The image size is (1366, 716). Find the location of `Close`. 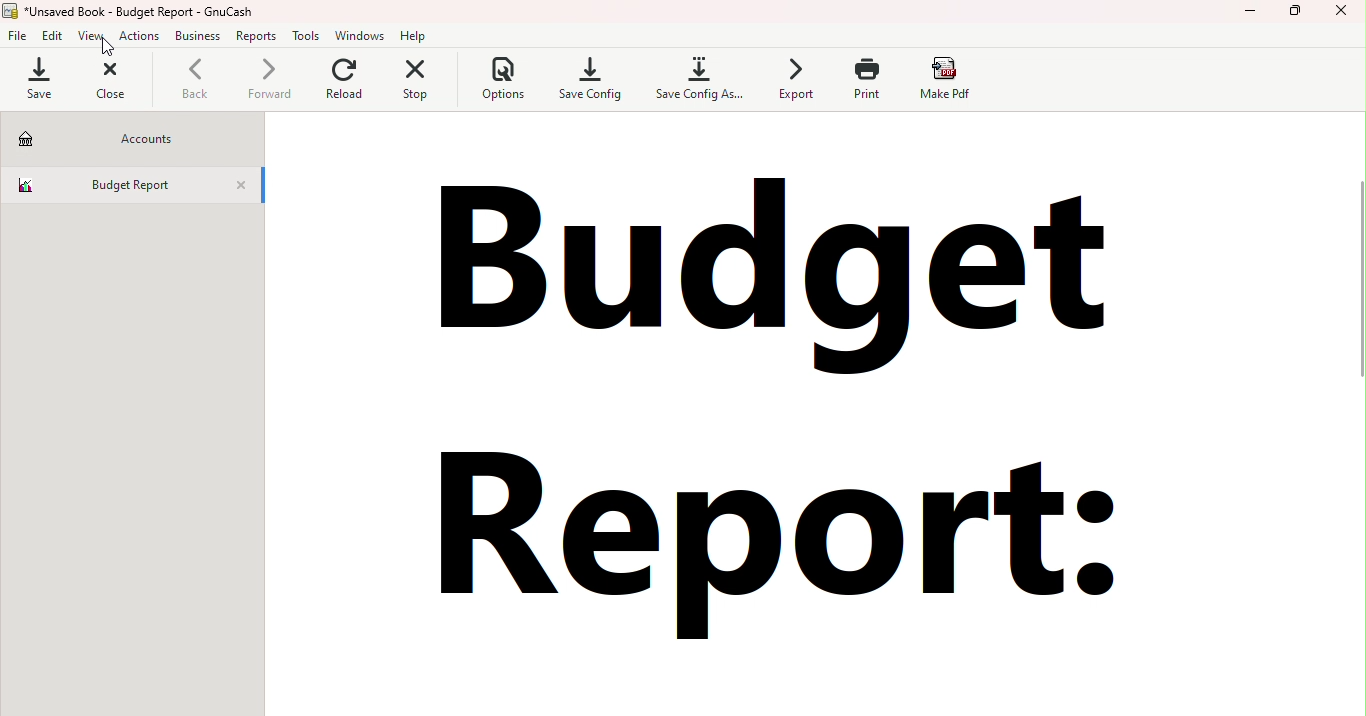

Close is located at coordinates (1343, 13).